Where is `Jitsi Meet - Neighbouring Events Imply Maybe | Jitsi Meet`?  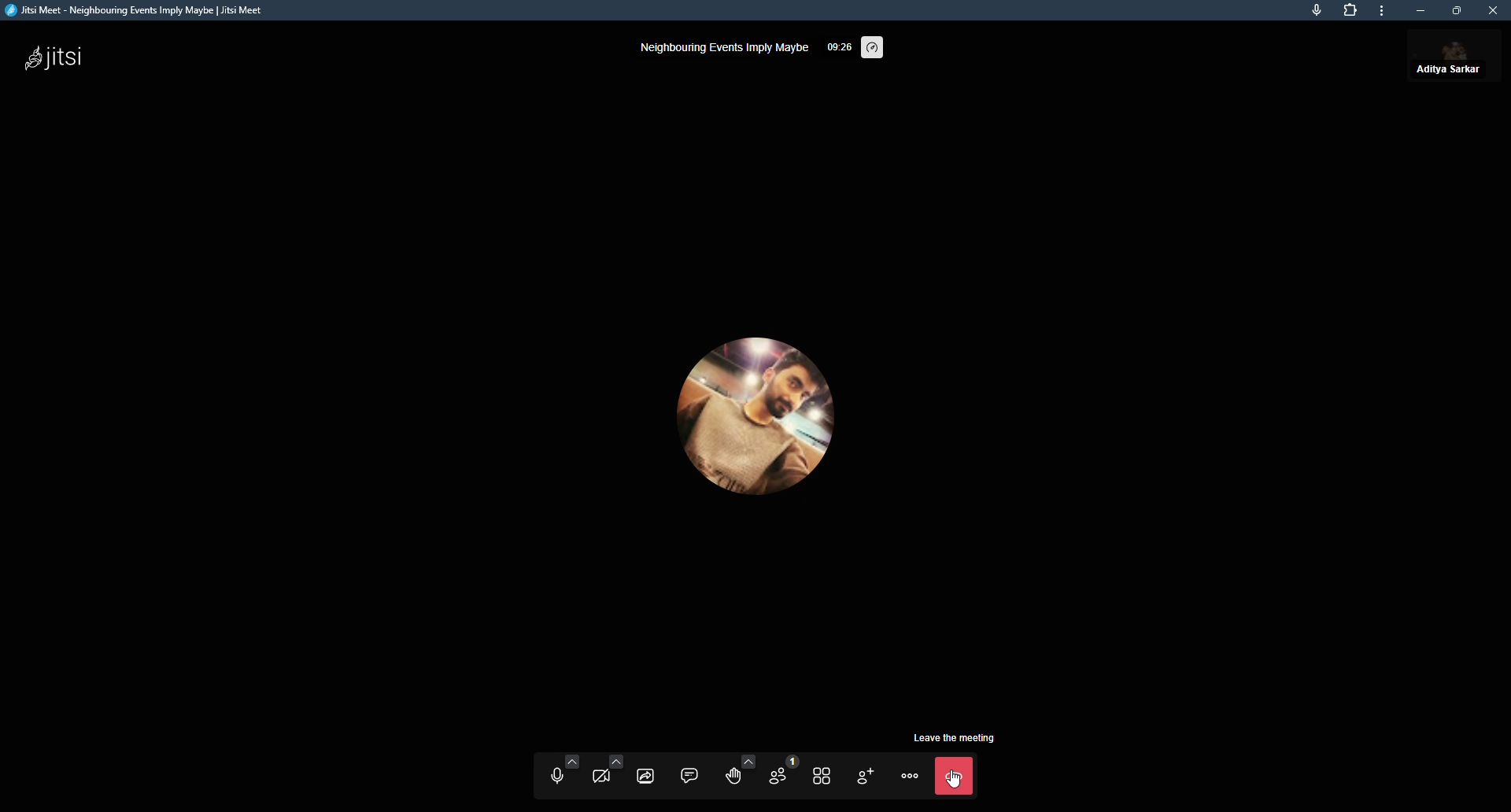
Jitsi Meet - Neighbouring Events Imply Maybe | Jitsi Meet is located at coordinates (141, 10).